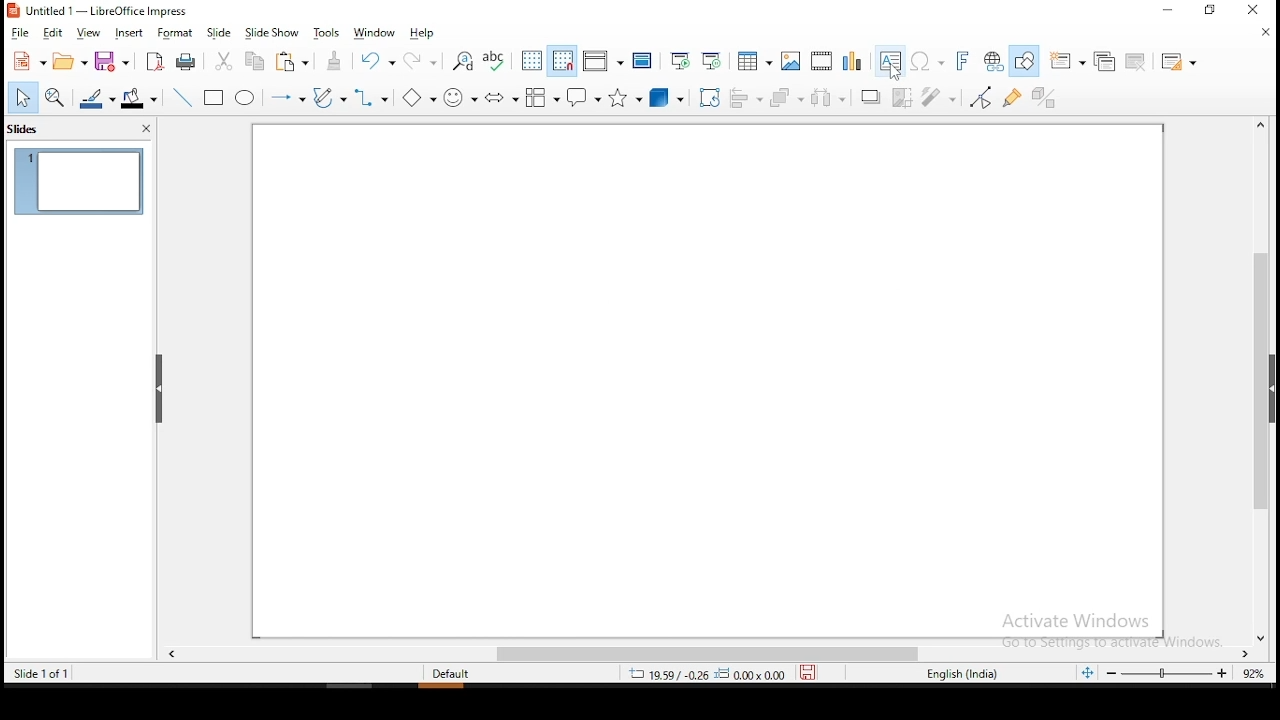  Describe the element at coordinates (752, 59) in the screenshot. I see `table` at that location.